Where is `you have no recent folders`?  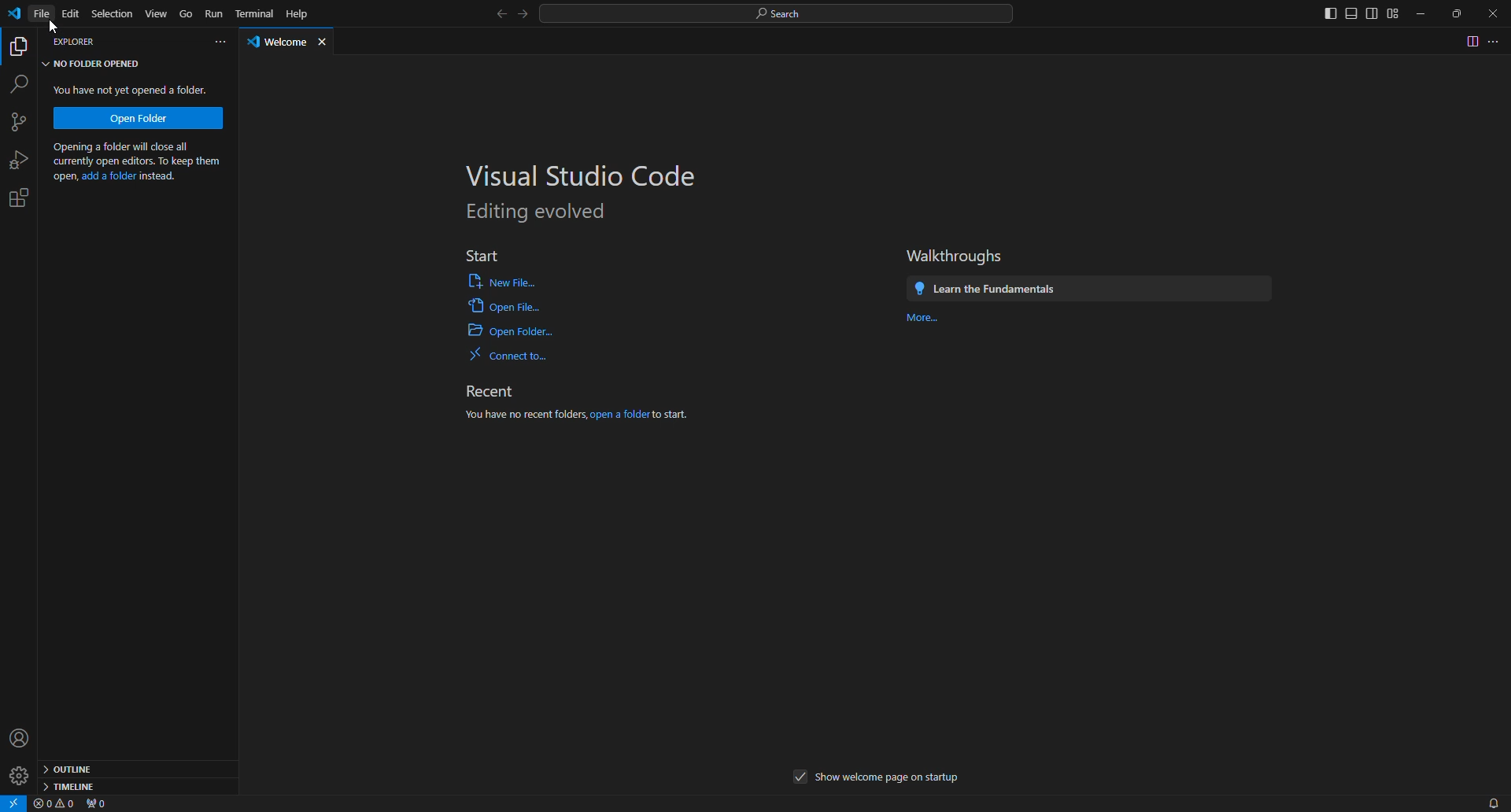
you have no recent folders is located at coordinates (524, 415).